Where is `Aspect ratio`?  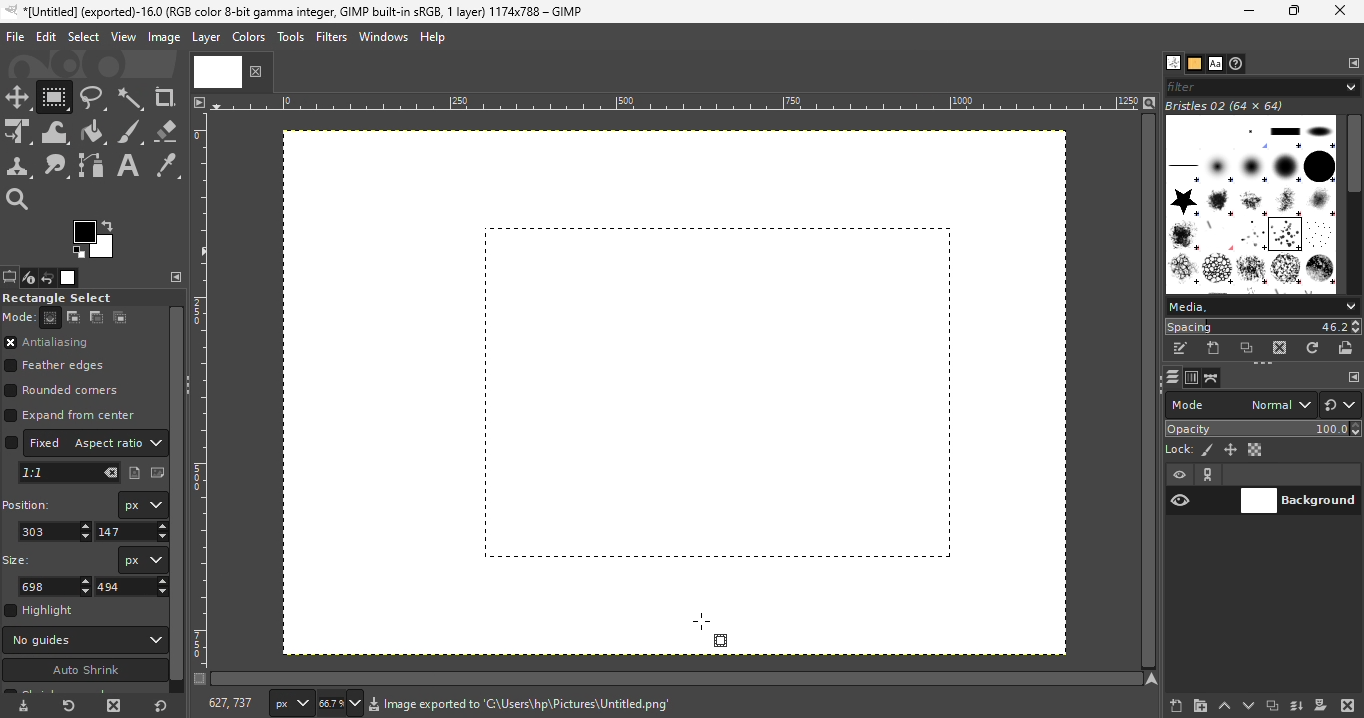
Aspect ratio is located at coordinates (117, 443).